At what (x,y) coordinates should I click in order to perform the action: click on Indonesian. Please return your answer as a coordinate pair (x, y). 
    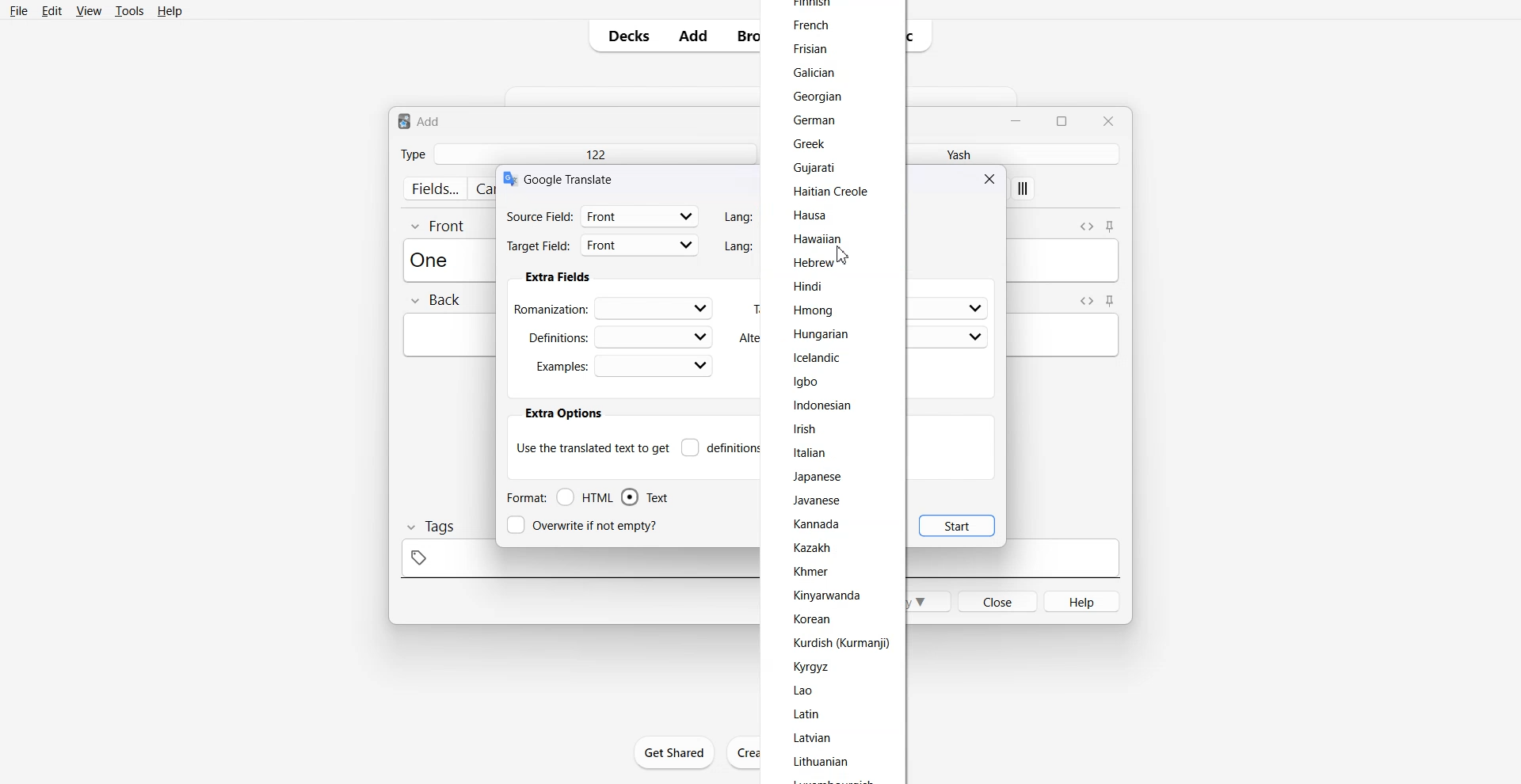
    Looking at the image, I should click on (822, 405).